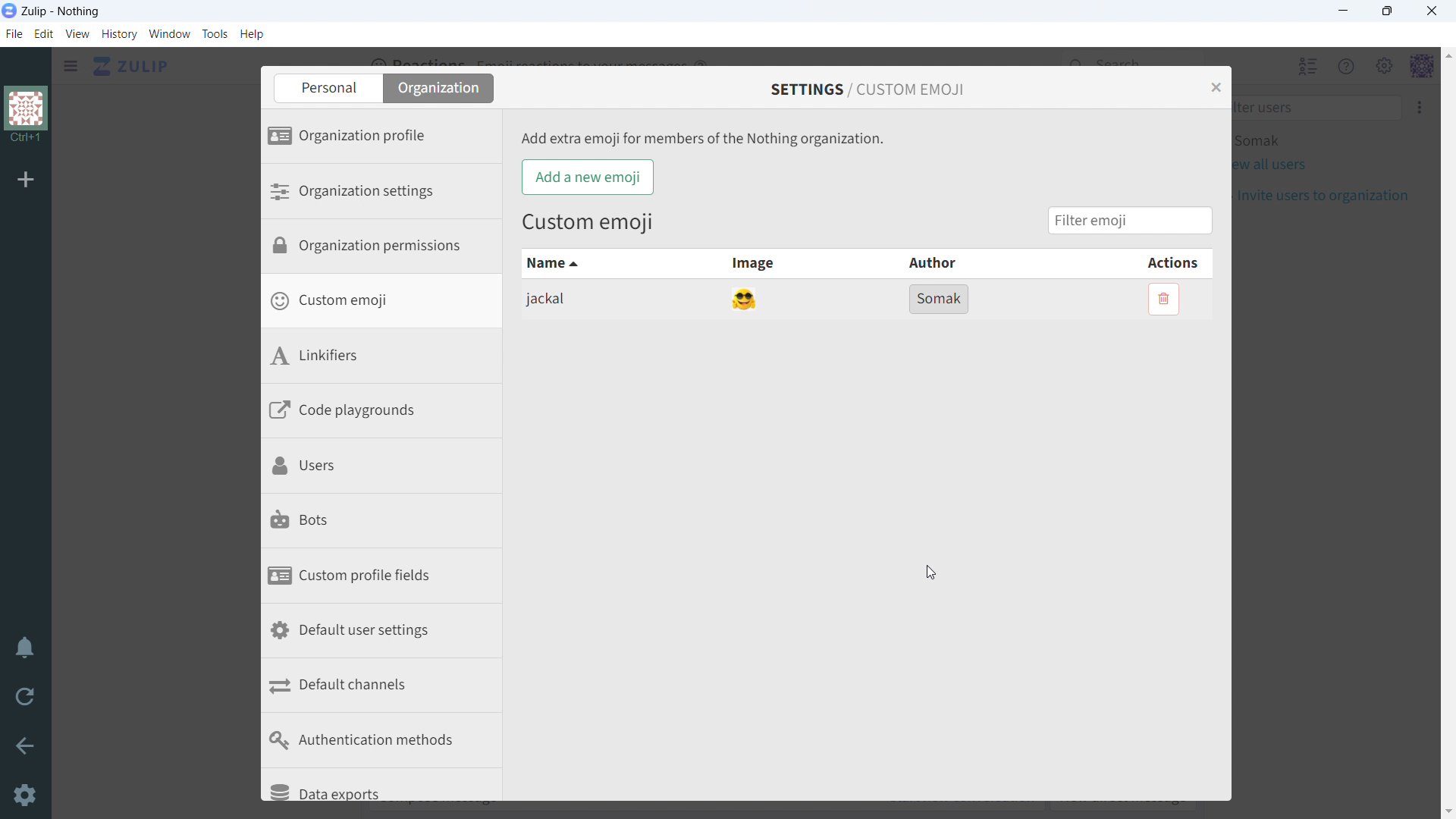 This screenshot has width=1456, height=819. Describe the element at coordinates (1447, 55) in the screenshot. I see `scroll up` at that location.